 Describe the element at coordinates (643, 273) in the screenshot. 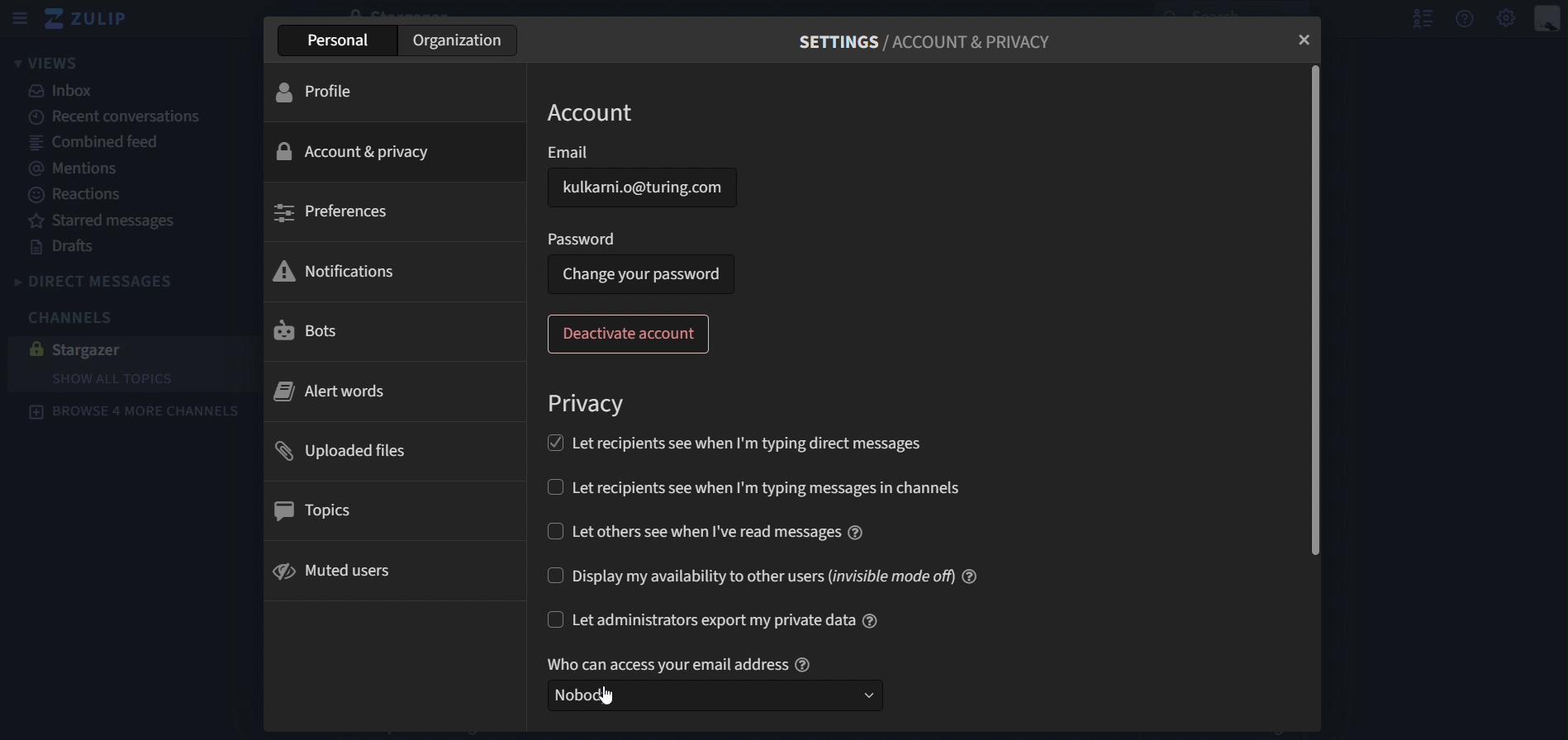

I see `change your password` at that location.